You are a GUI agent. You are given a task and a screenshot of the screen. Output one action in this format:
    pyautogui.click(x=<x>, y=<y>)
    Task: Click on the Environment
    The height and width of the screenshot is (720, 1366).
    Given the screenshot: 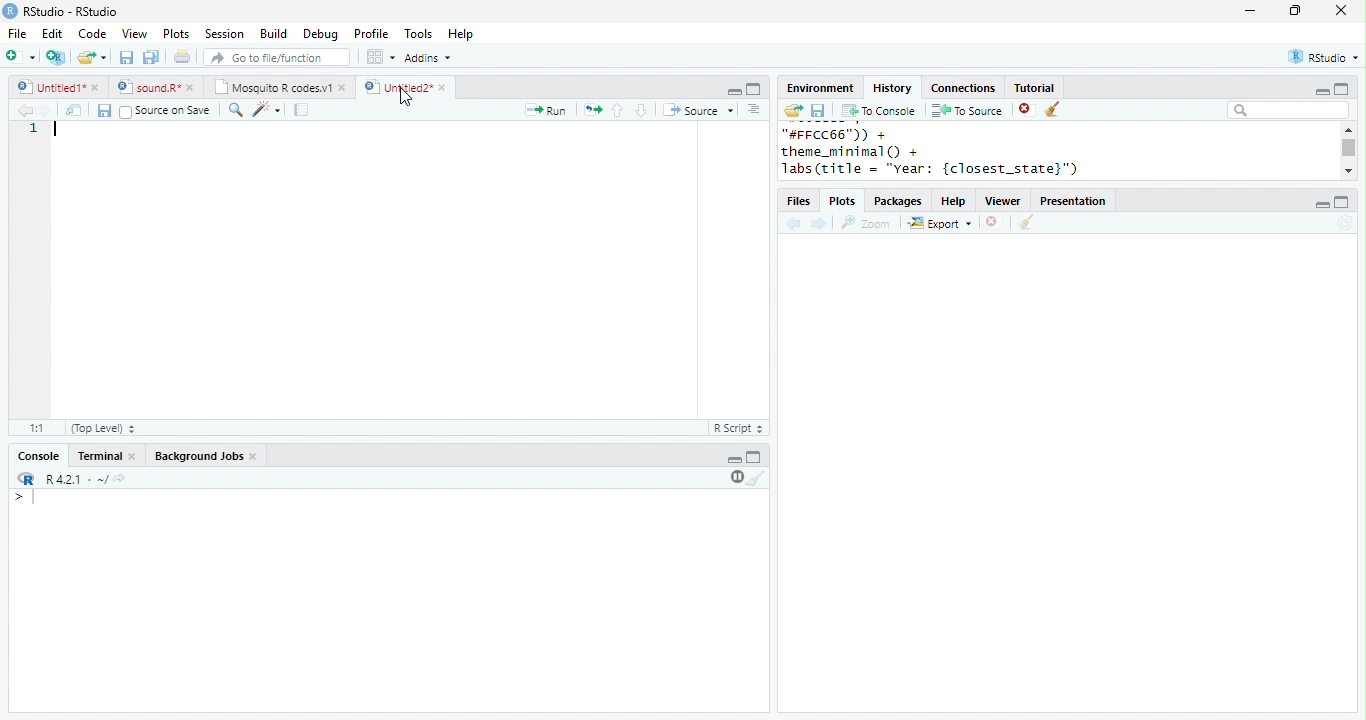 What is the action you would take?
    pyautogui.click(x=822, y=89)
    